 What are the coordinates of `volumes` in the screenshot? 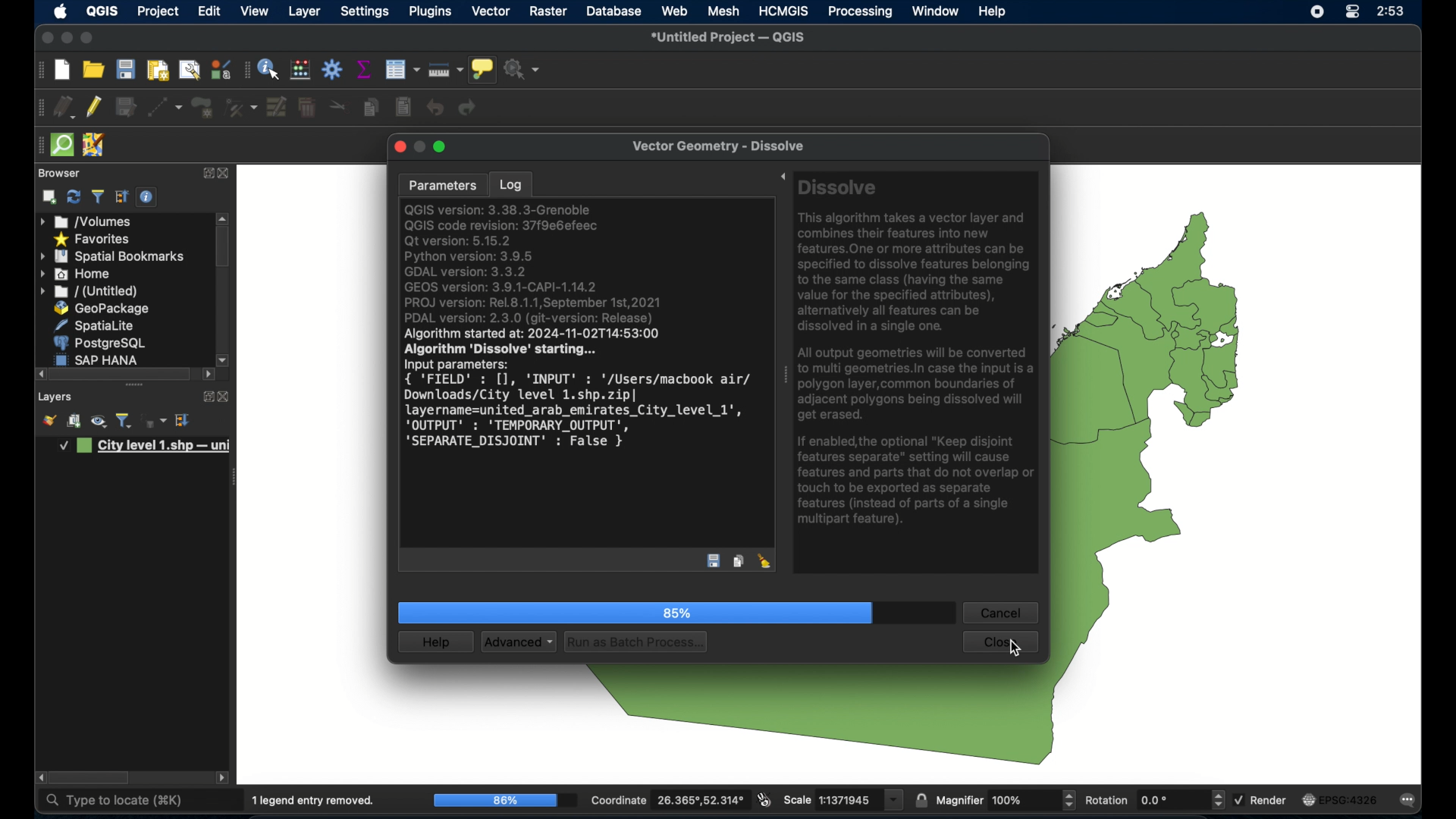 It's located at (86, 221).